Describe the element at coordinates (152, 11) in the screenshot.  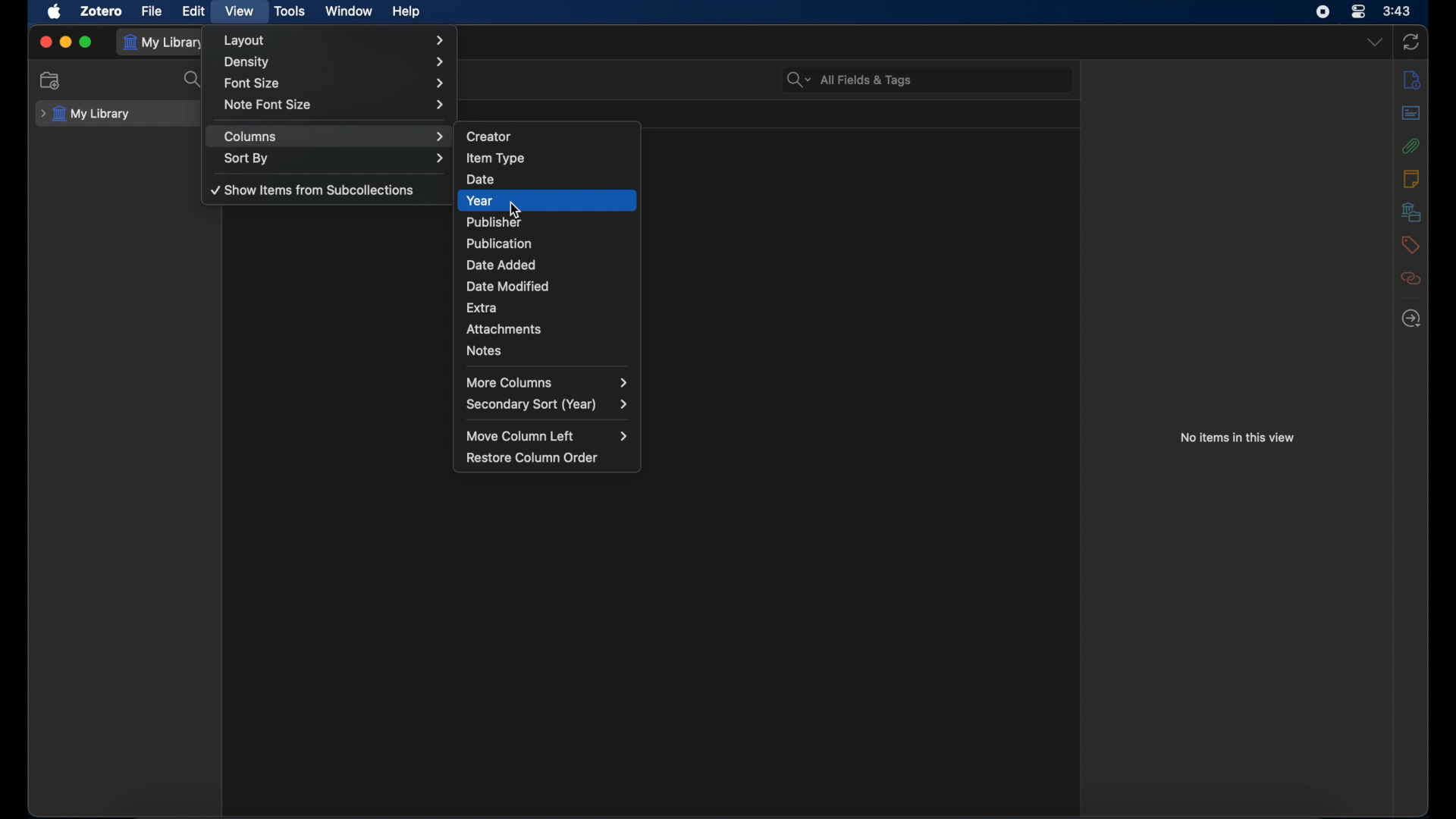
I see `file` at that location.